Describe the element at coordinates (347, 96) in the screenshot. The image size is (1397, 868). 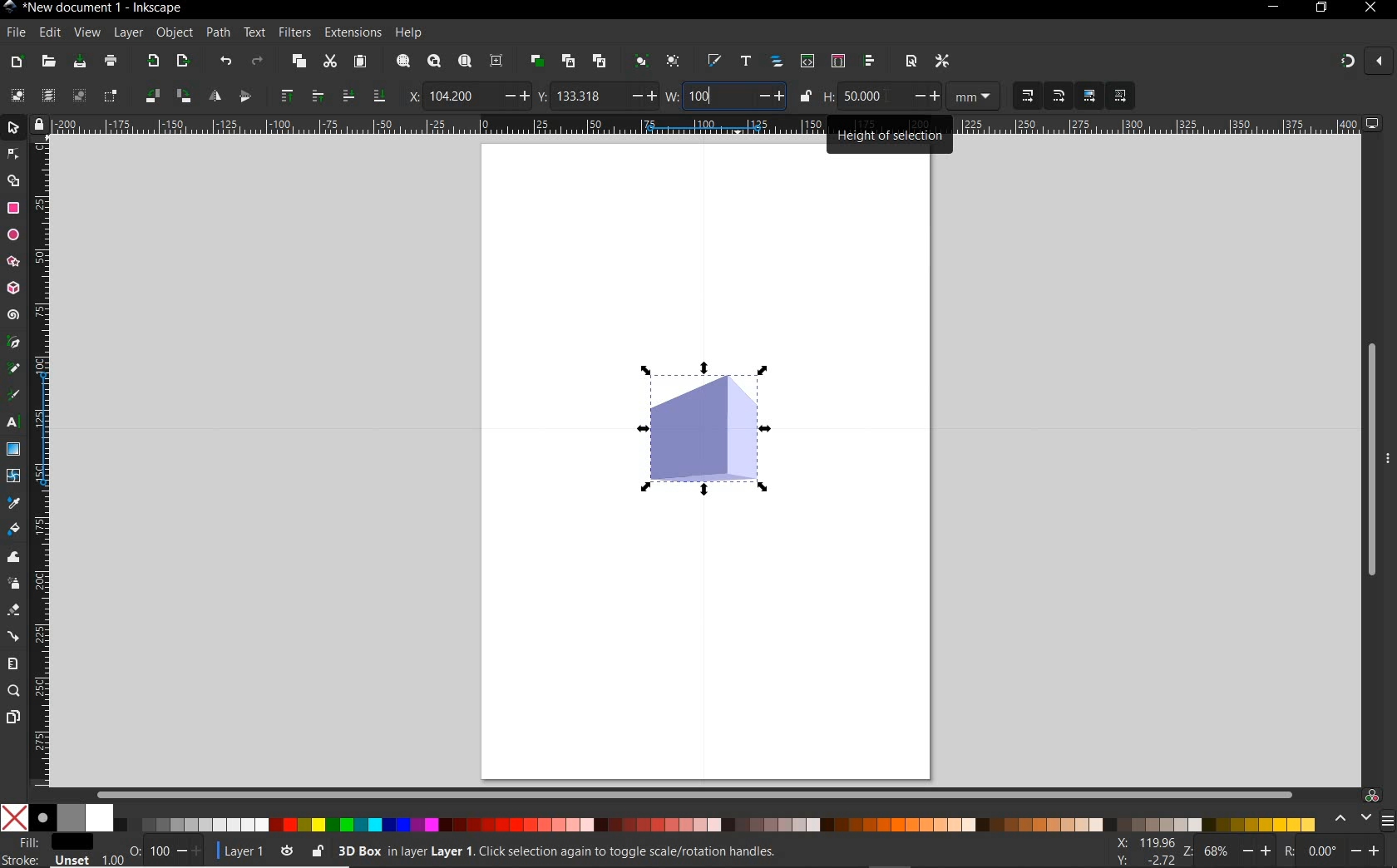
I see `lower selection` at that location.